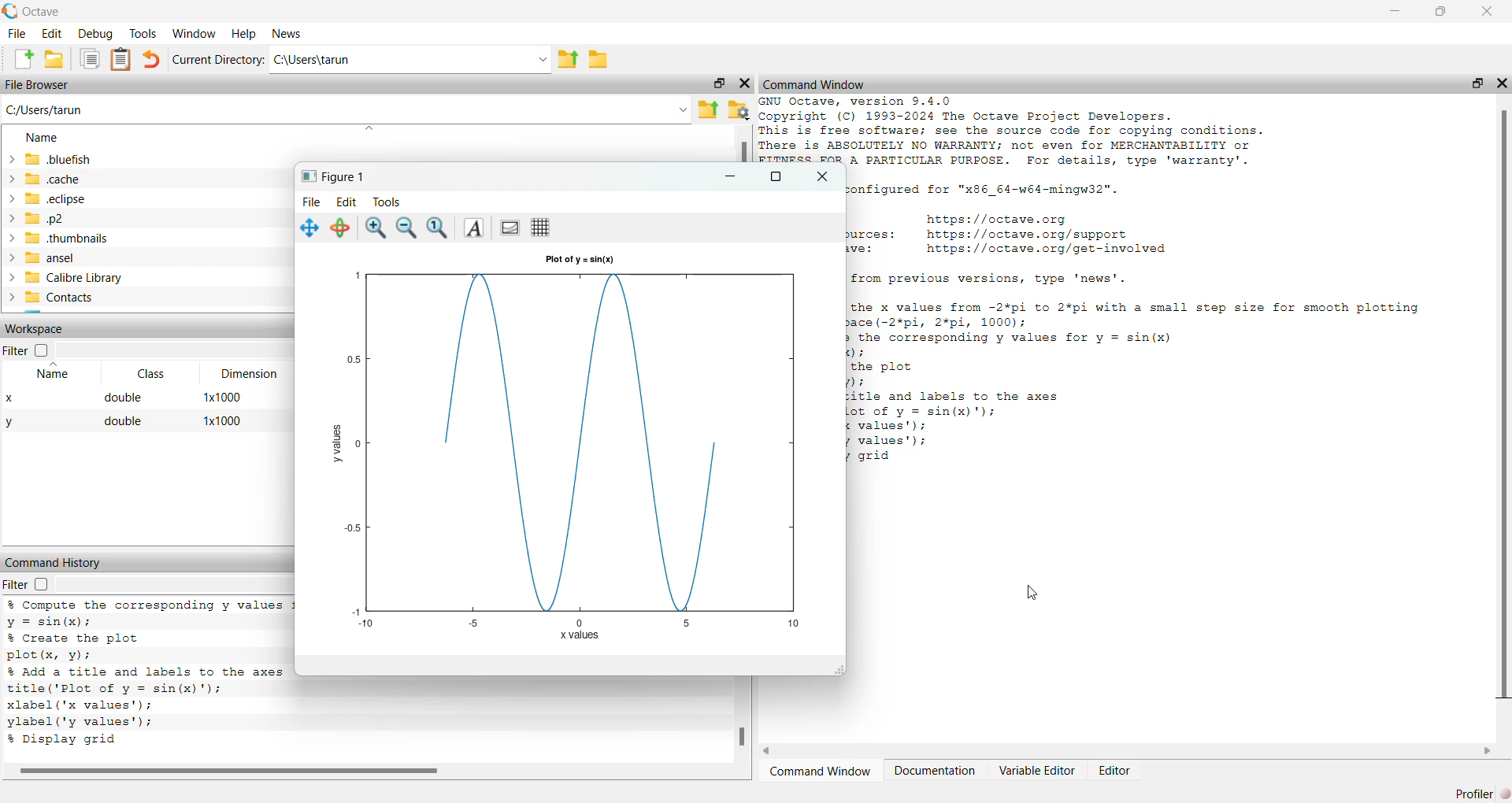 This screenshot has height=803, width=1512. What do you see at coordinates (12, 399) in the screenshot?
I see `x` at bounding box center [12, 399].